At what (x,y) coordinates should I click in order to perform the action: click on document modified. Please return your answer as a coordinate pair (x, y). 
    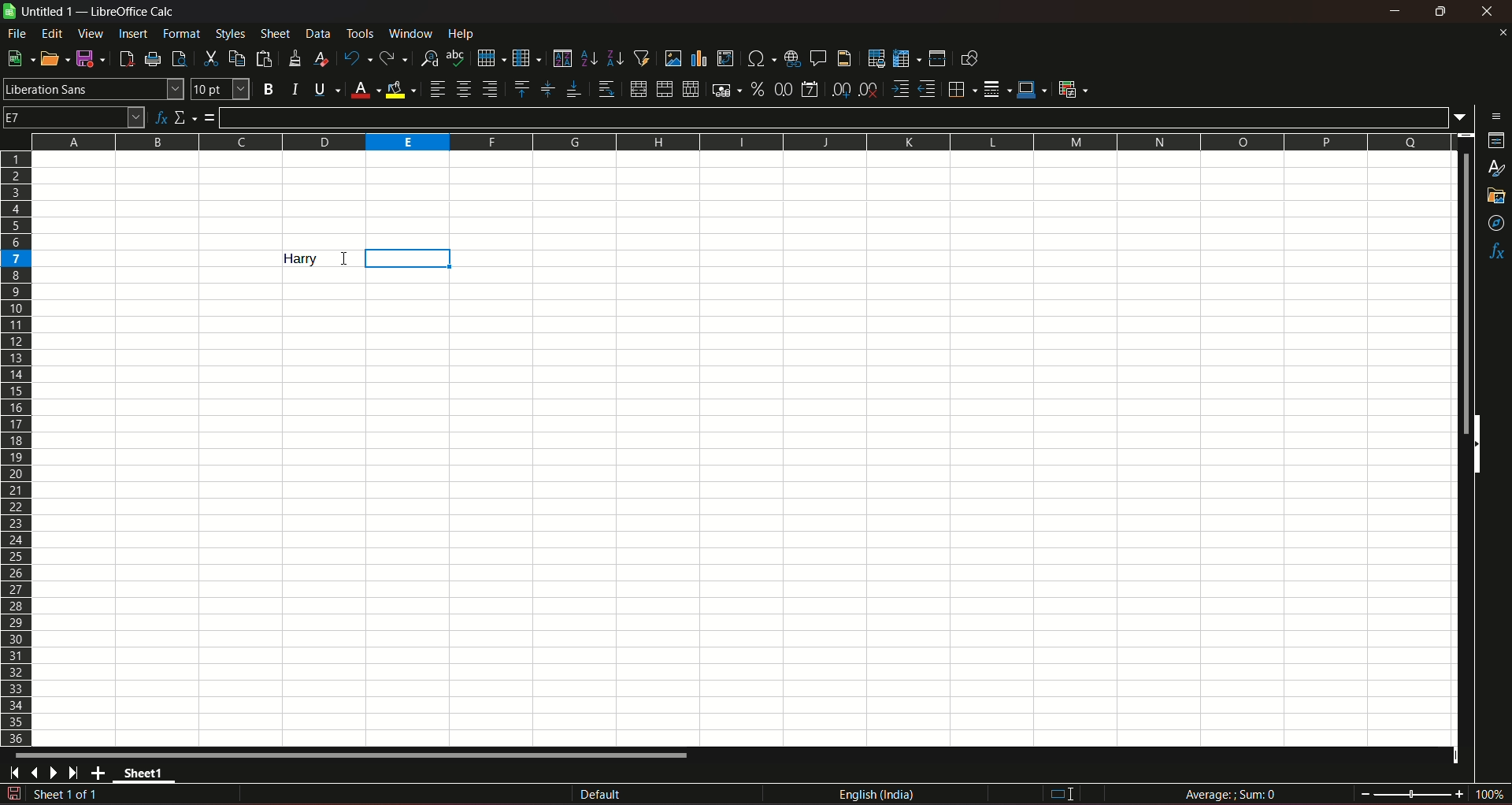
    Looking at the image, I should click on (13, 794).